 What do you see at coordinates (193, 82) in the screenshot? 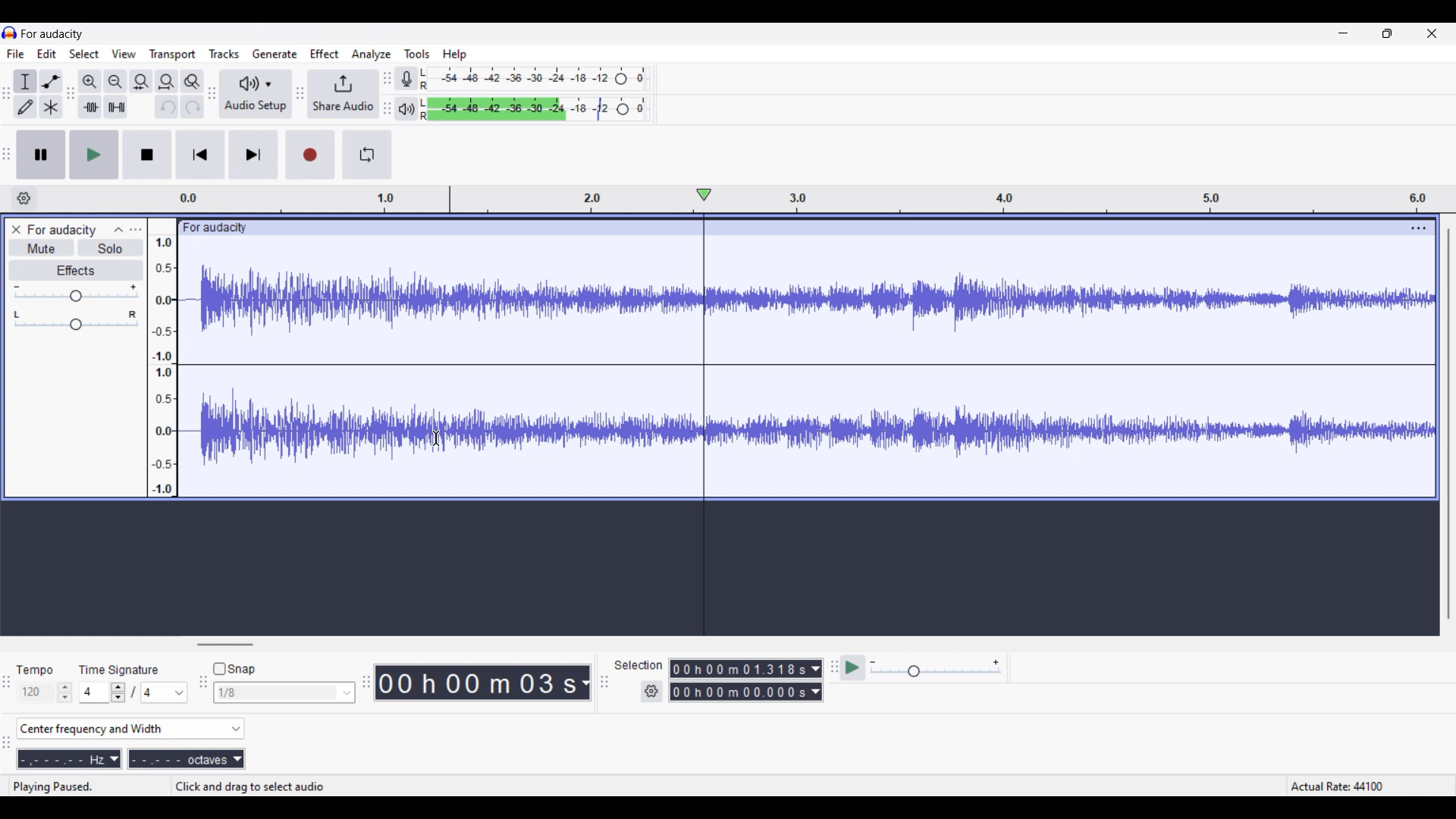
I see `Zoom toggle` at bounding box center [193, 82].